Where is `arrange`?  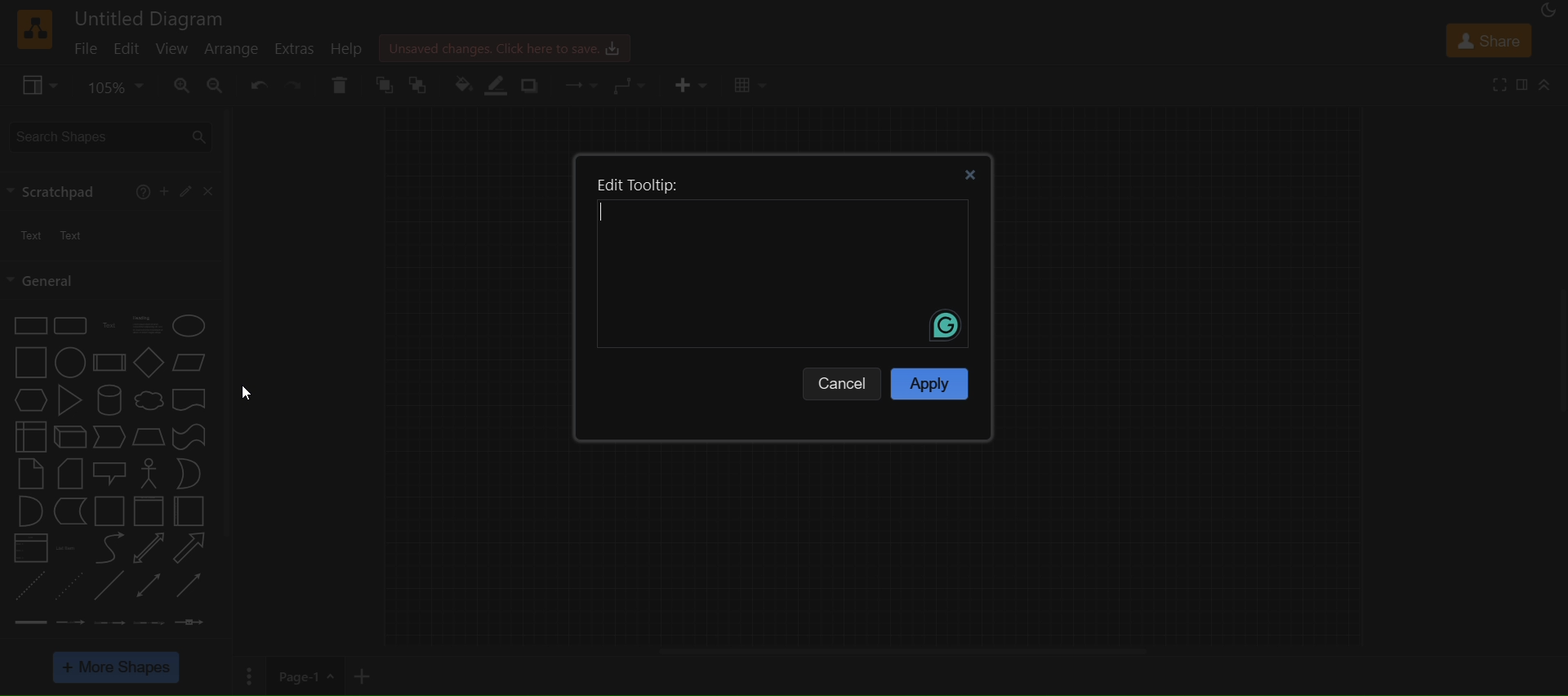
arrange is located at coordinates (231, 51).